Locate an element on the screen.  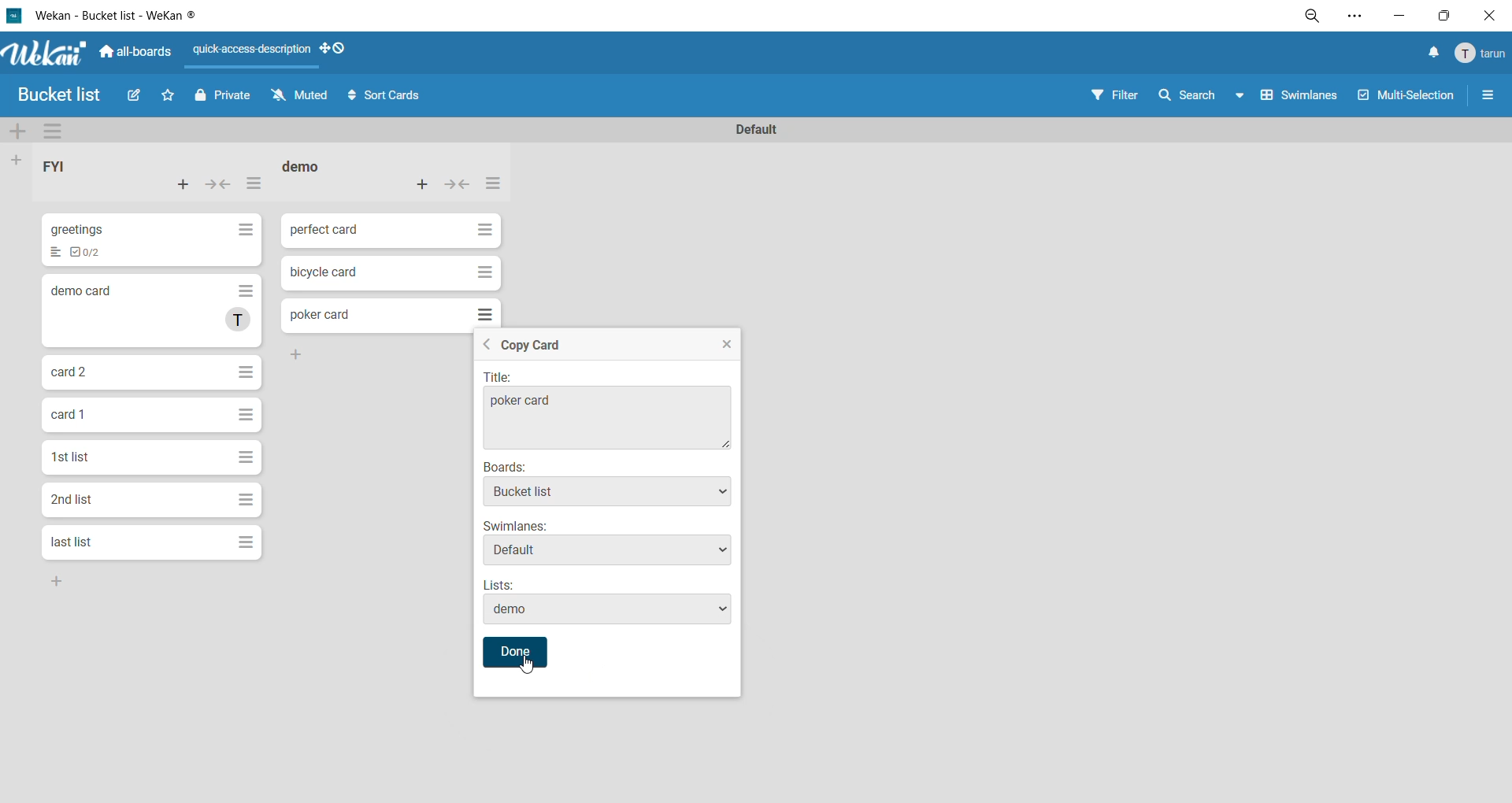
notifications is located at coordinates (1429, 54).